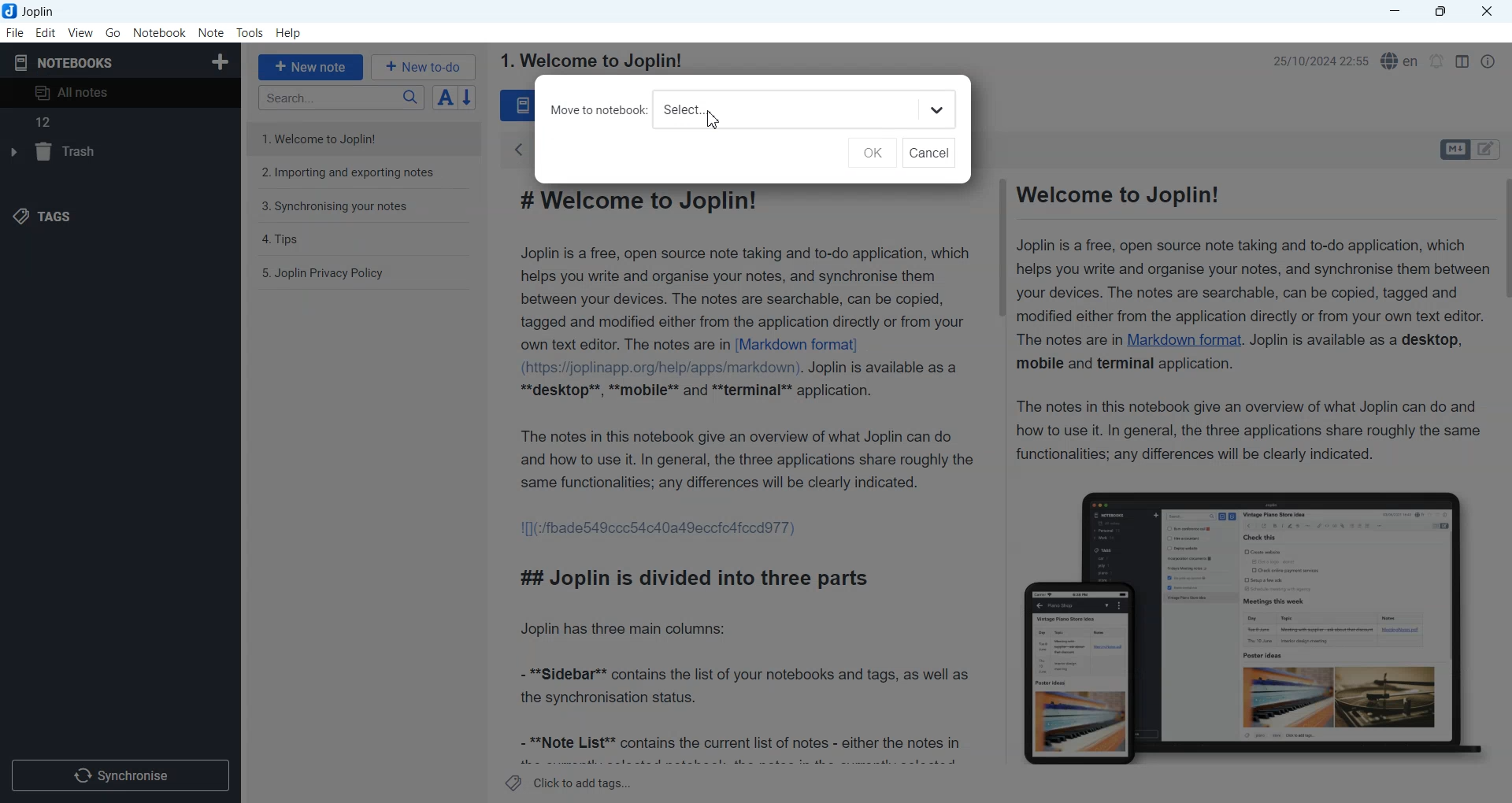  What do you see at coordinates (311, 67) in the screenshot?
I see `+ New note` at bounding box center [311, 67].